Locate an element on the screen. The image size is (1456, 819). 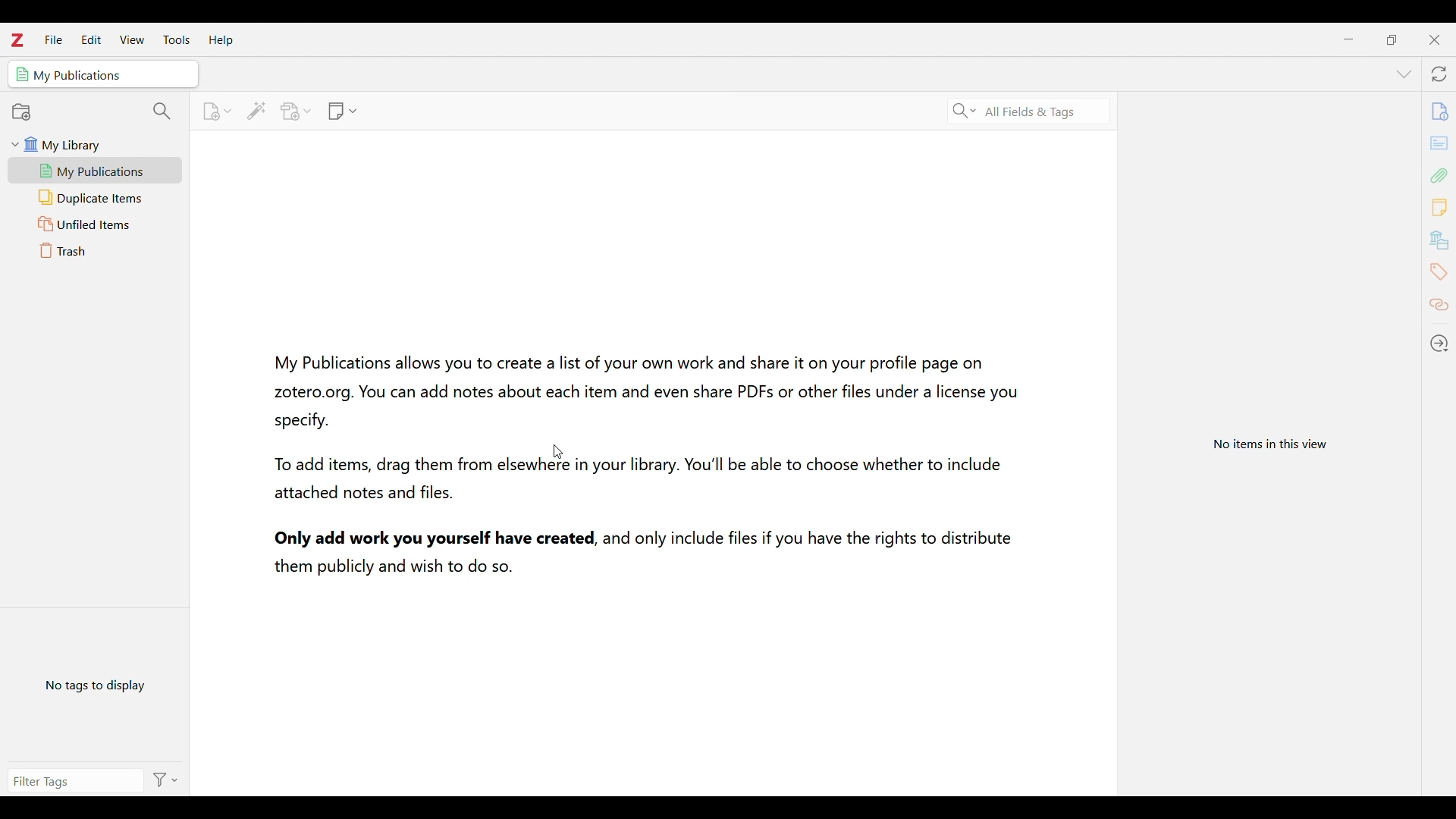
Add item/s by Identifier is located at coordinates (256, 111).